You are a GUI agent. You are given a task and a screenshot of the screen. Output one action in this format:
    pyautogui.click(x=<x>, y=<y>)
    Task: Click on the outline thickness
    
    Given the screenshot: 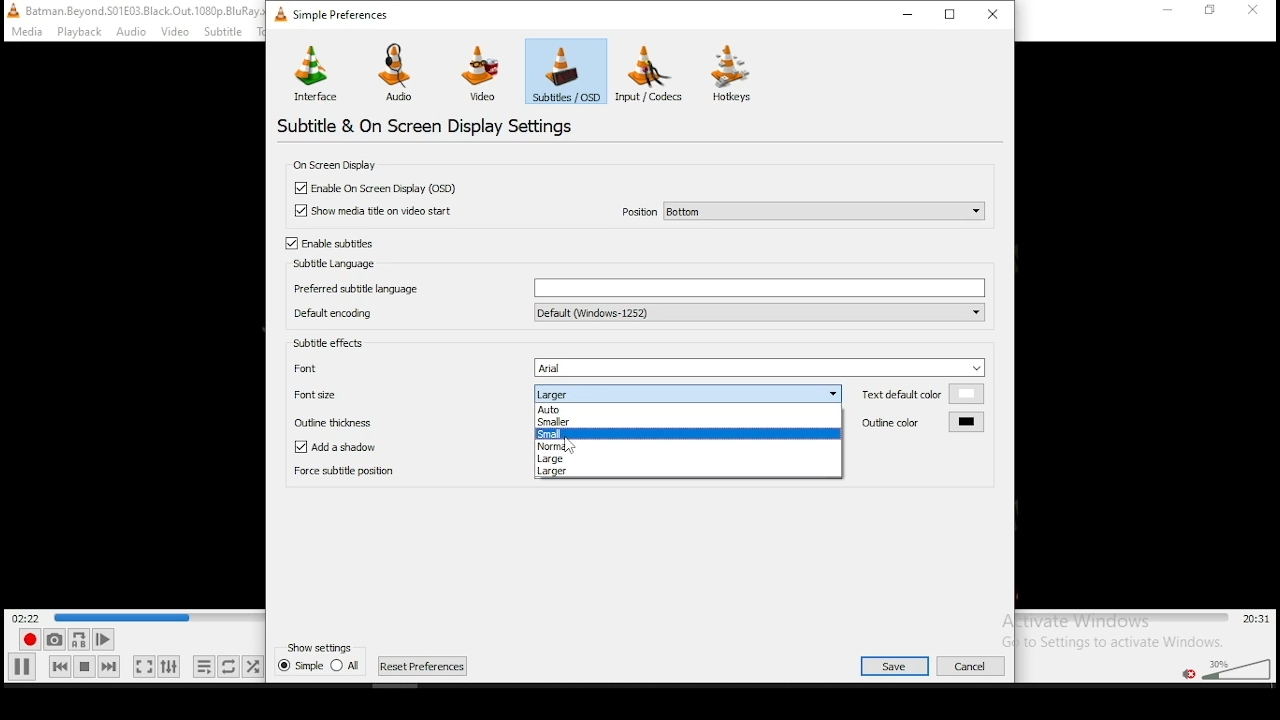 What is the action you would take?
    pyautogui.click(x=371, y=419)
    